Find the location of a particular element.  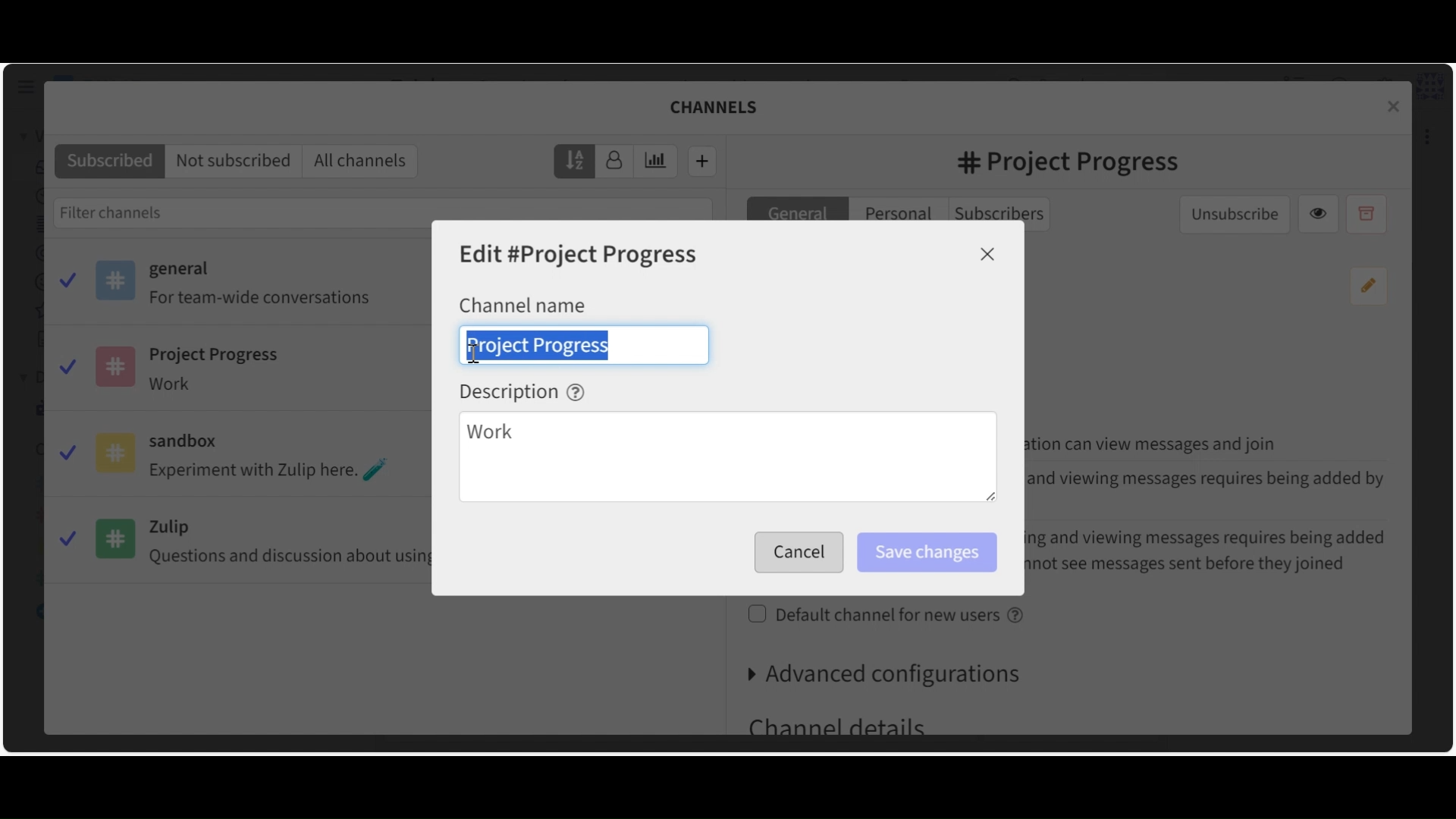

Edit Channel is located at coordinates (580, 256).